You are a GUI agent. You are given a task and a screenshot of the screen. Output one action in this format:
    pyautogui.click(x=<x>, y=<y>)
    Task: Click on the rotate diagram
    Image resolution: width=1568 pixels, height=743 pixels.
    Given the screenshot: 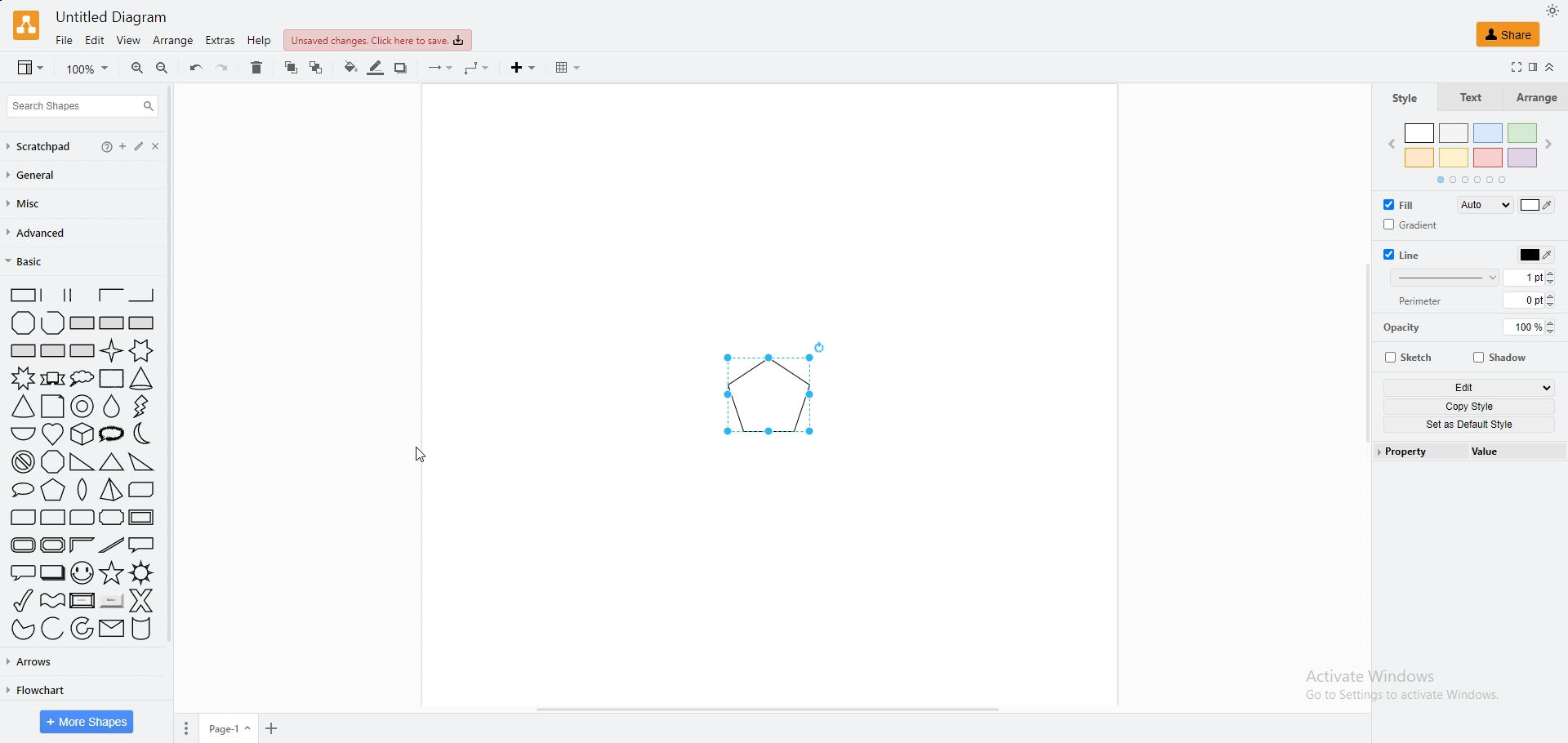 What is the action you would take?
    pyautogui.click(x=824, y=347)
    